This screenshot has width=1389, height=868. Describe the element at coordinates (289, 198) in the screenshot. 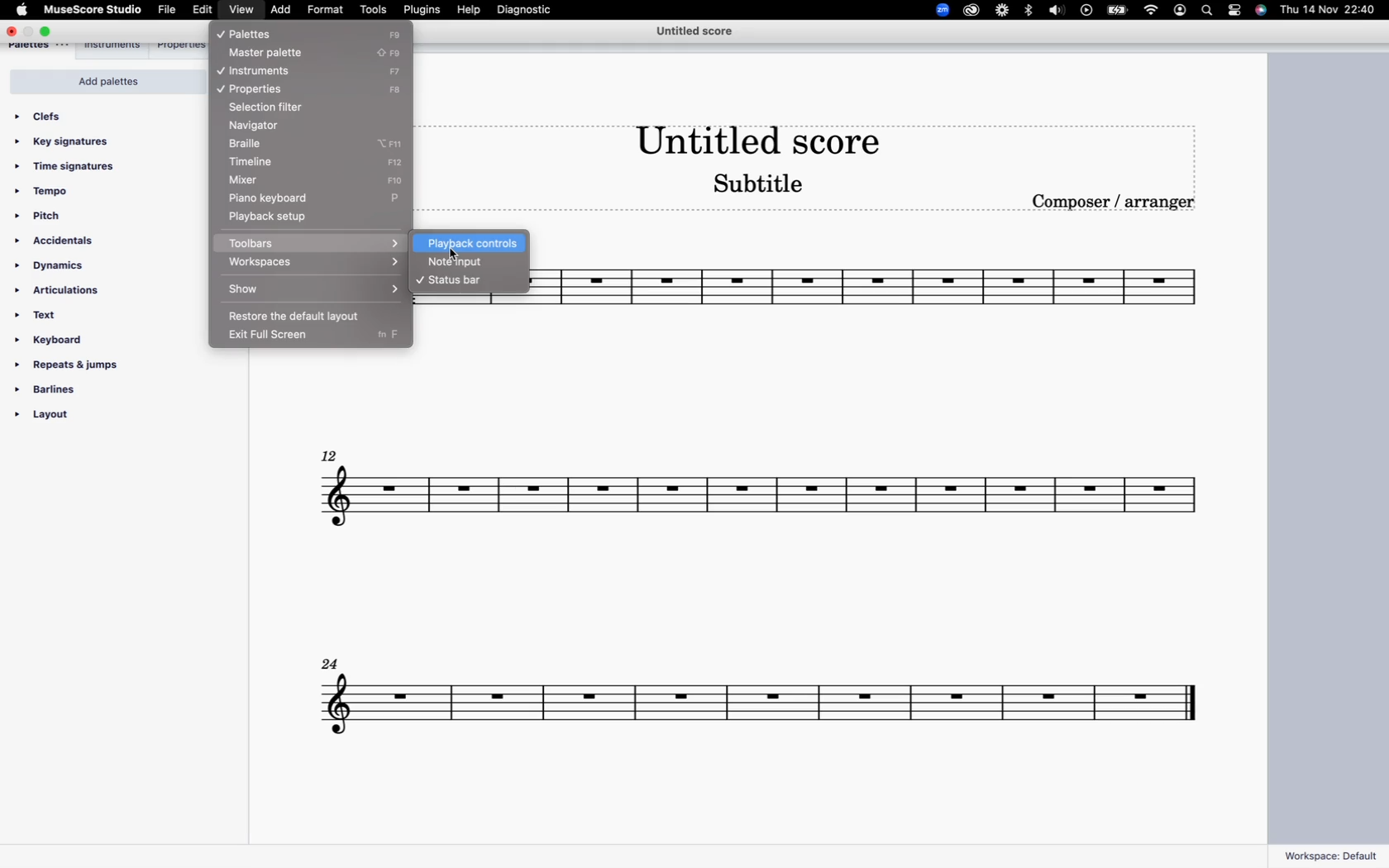

I see `piano keyboard` at that location.